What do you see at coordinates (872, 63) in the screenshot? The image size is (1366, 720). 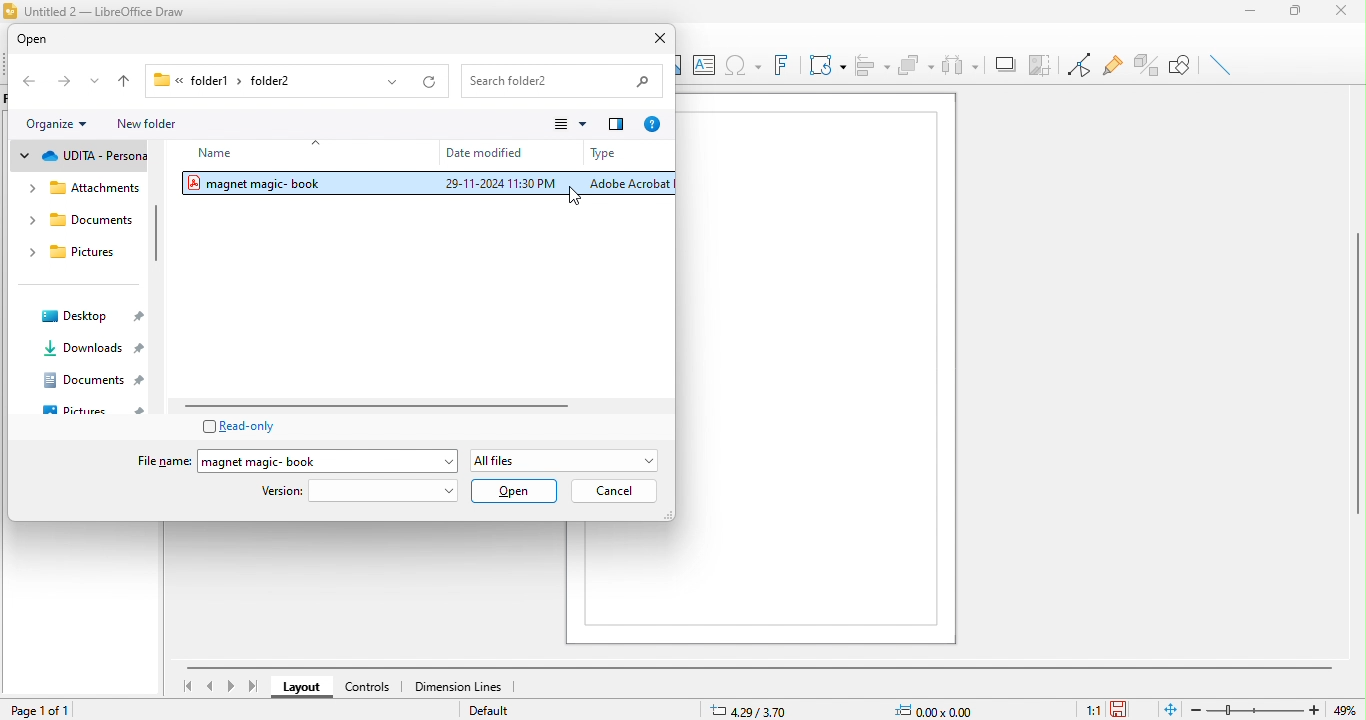 I see `align object` at bounding box center [872, 63].